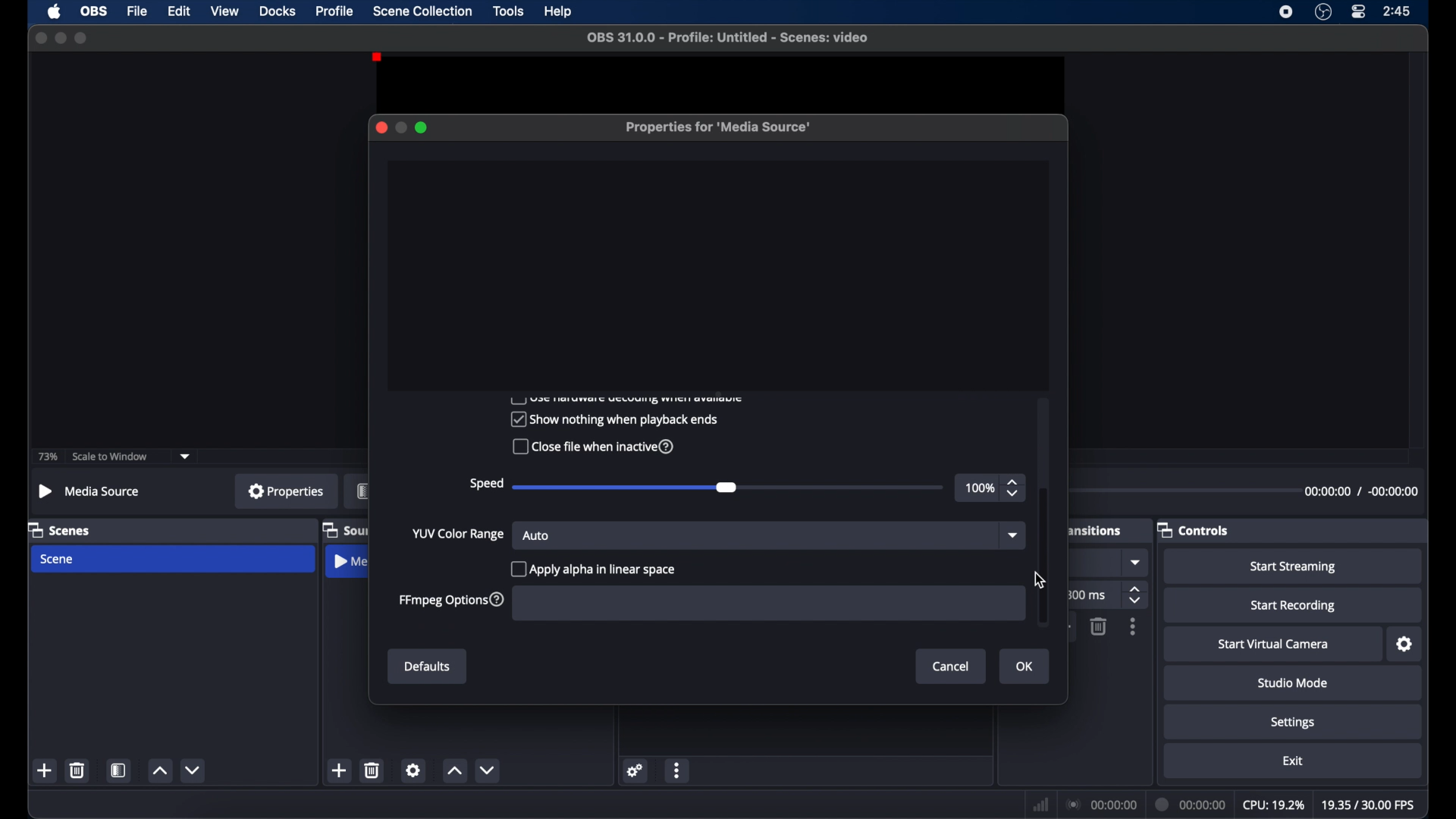 The width and height of the screenshot is (1456, 819). What do you see at coordinates (1293, 722) in the screenshot?
I see `settings` at bounding box center [1293, 722].